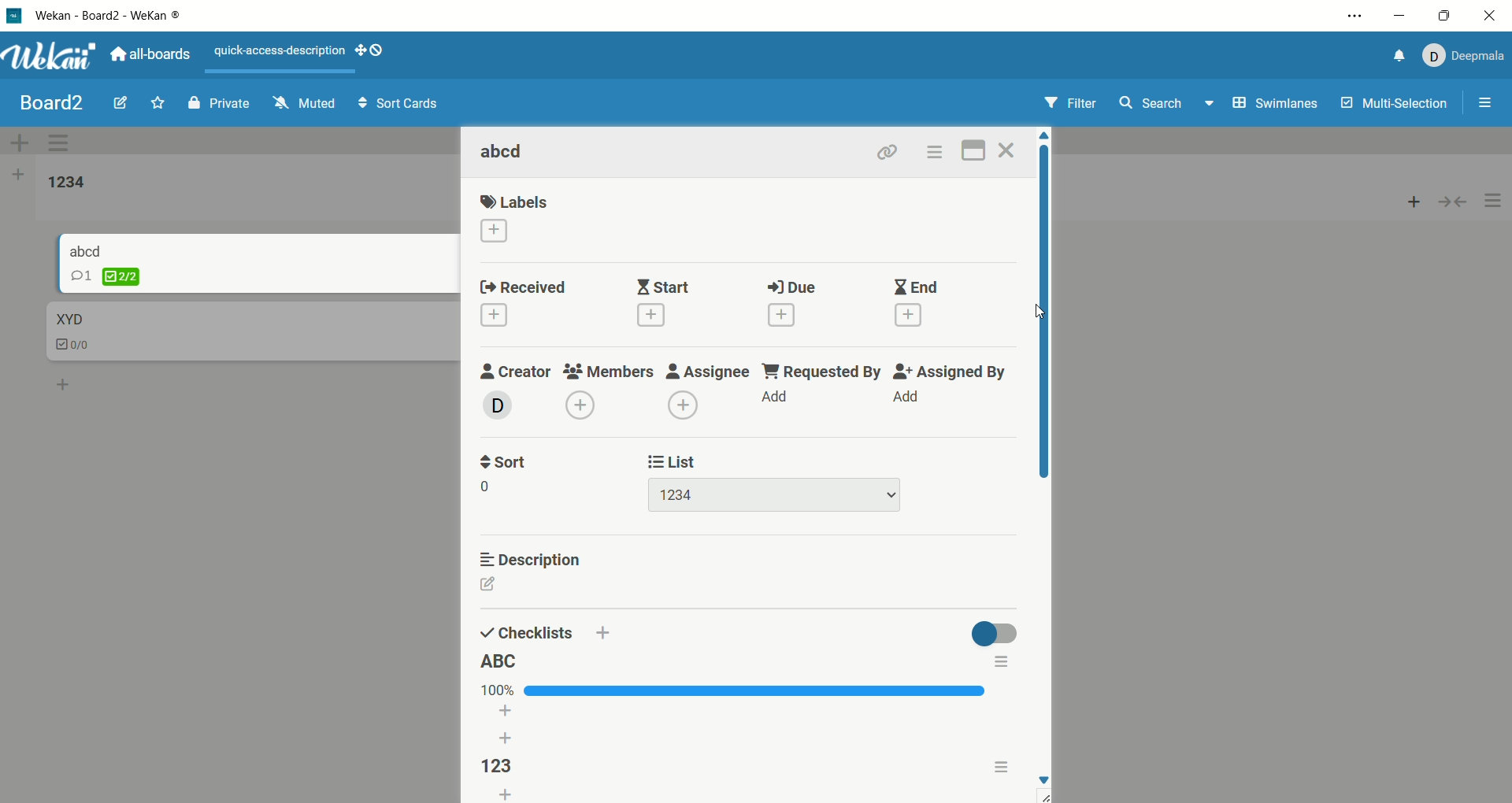 The image size is (1512, 803). What do you see at coordinates (219, 102) in the screenshot?
I see `private` at bounding box center [219, 102].